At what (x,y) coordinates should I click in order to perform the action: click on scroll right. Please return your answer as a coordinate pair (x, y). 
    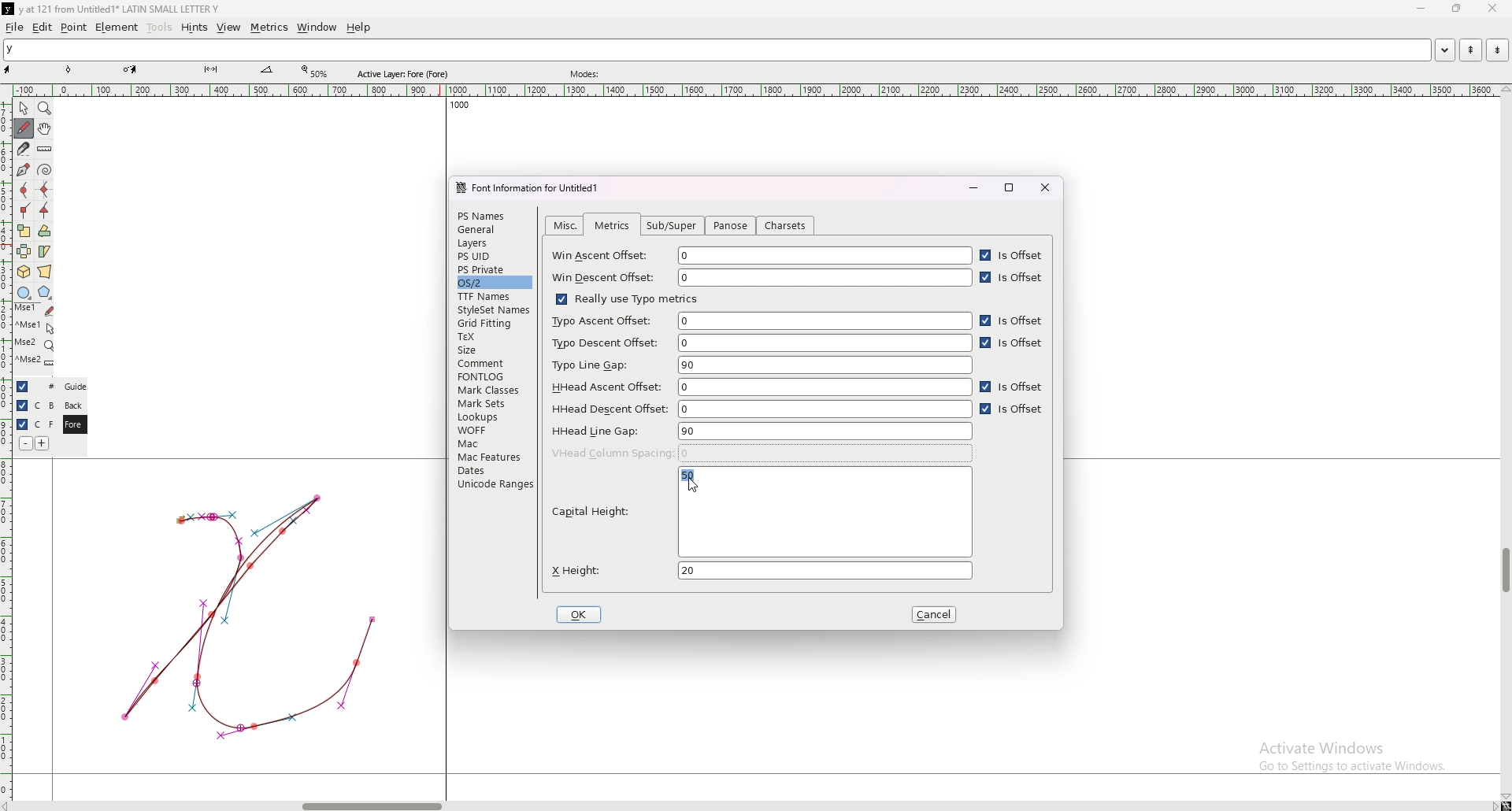
    Looking at the image, I should click on (10, 805).